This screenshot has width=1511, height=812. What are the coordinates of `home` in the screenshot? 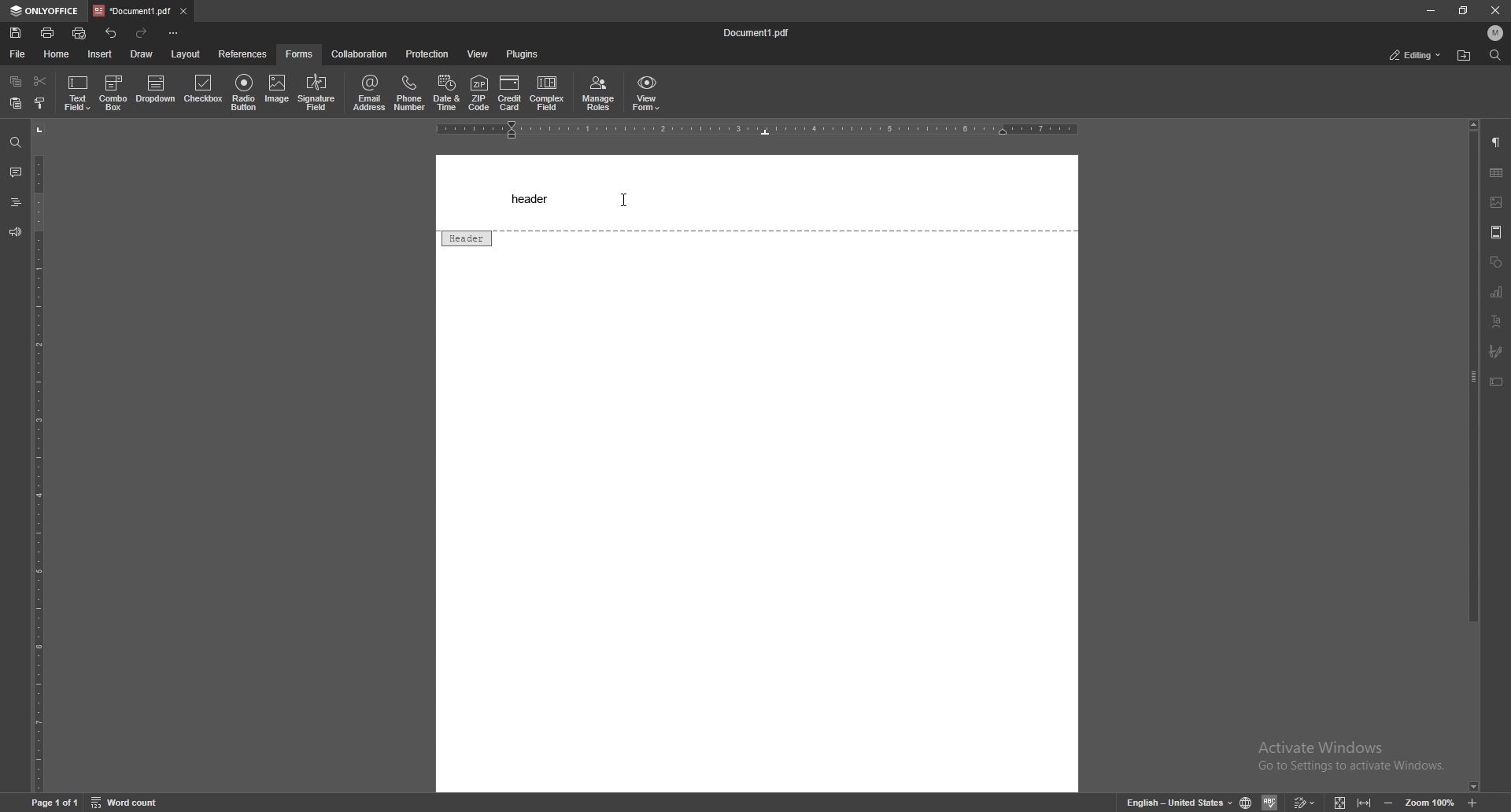 It's located at (57, 54).